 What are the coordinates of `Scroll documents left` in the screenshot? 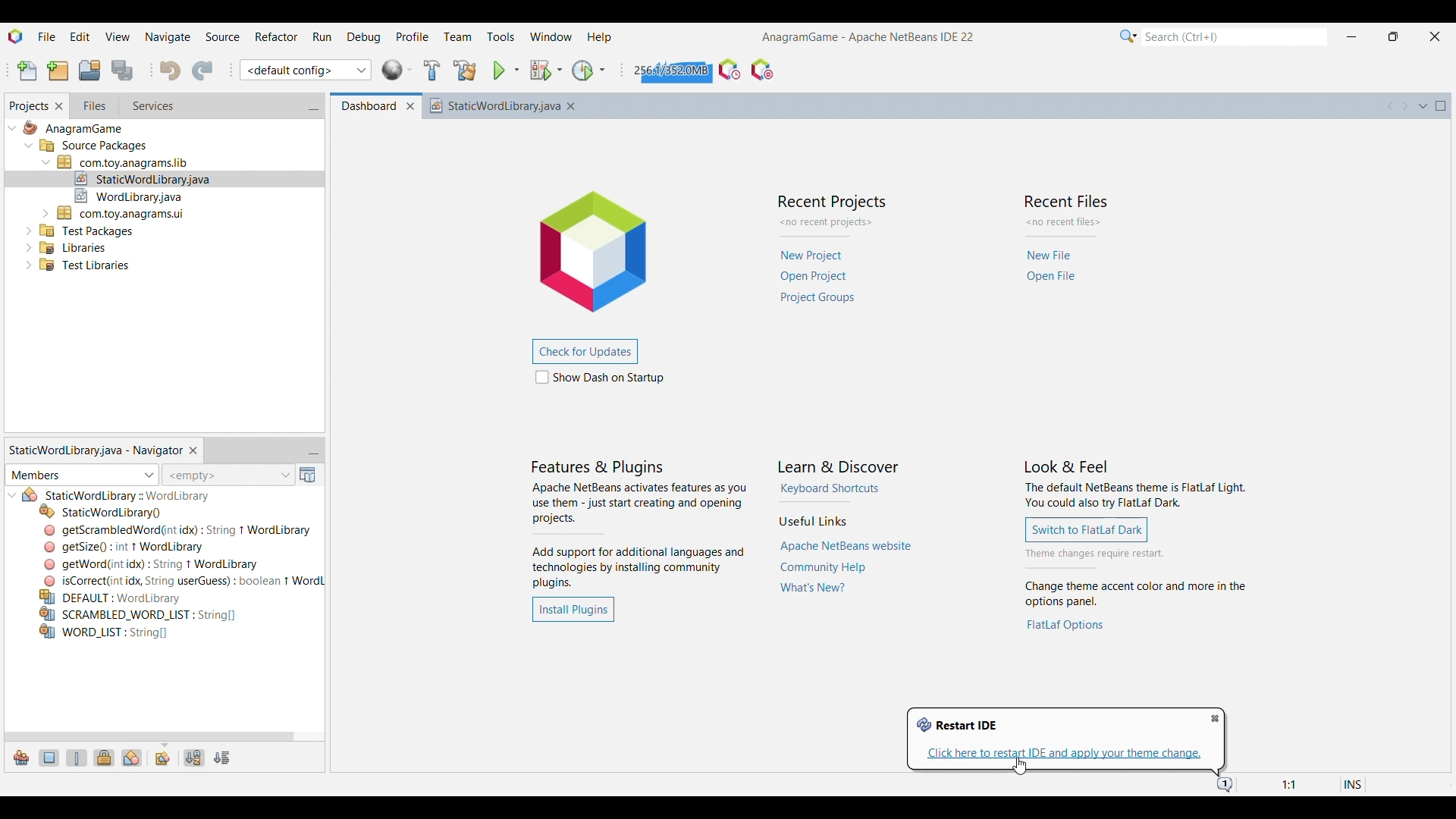 It's located at (1391, 105).